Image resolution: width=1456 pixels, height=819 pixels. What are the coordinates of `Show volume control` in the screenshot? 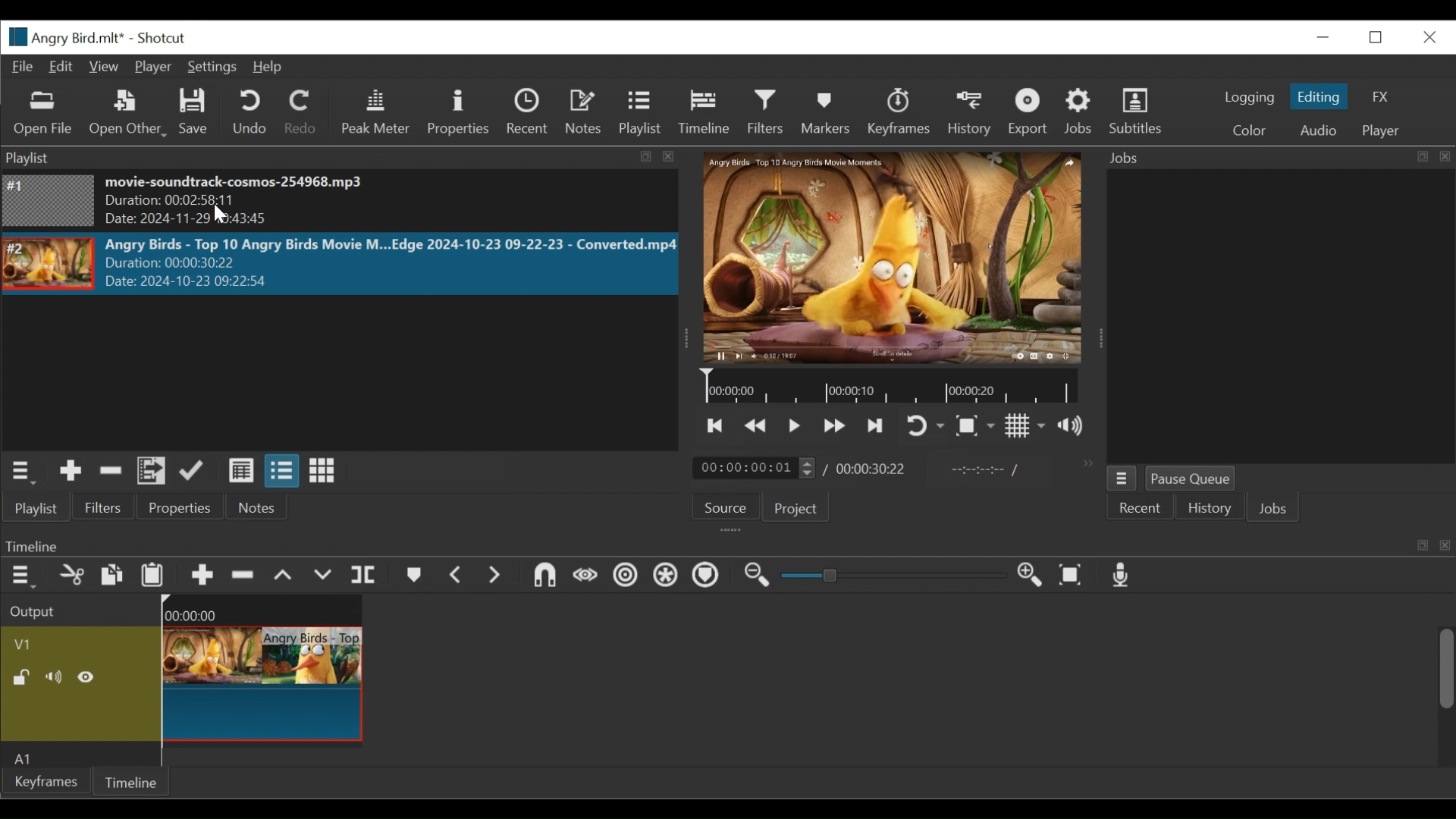 It's located at (1075, 428).